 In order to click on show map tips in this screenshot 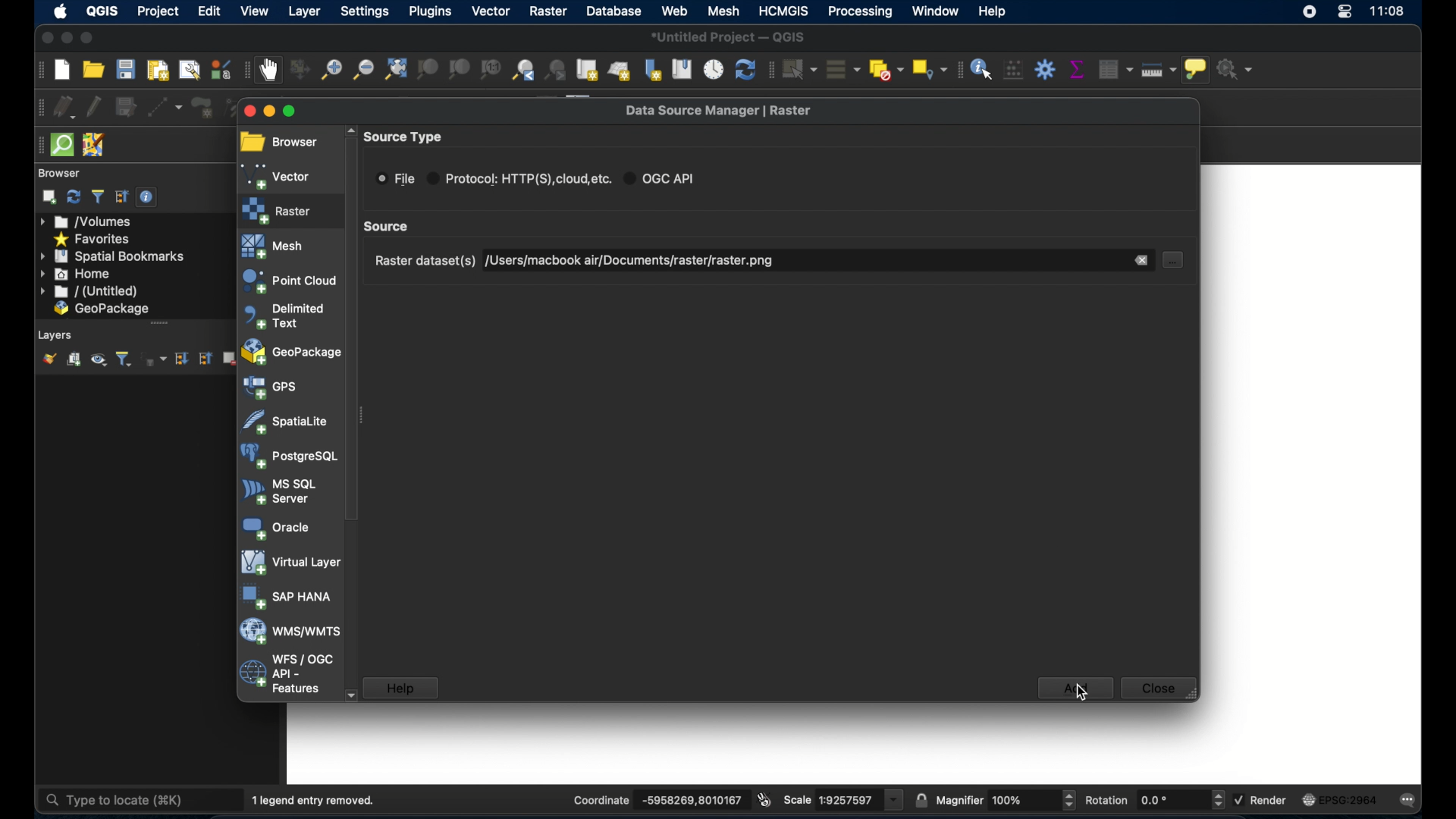, I will do `click(1197, 71)`.